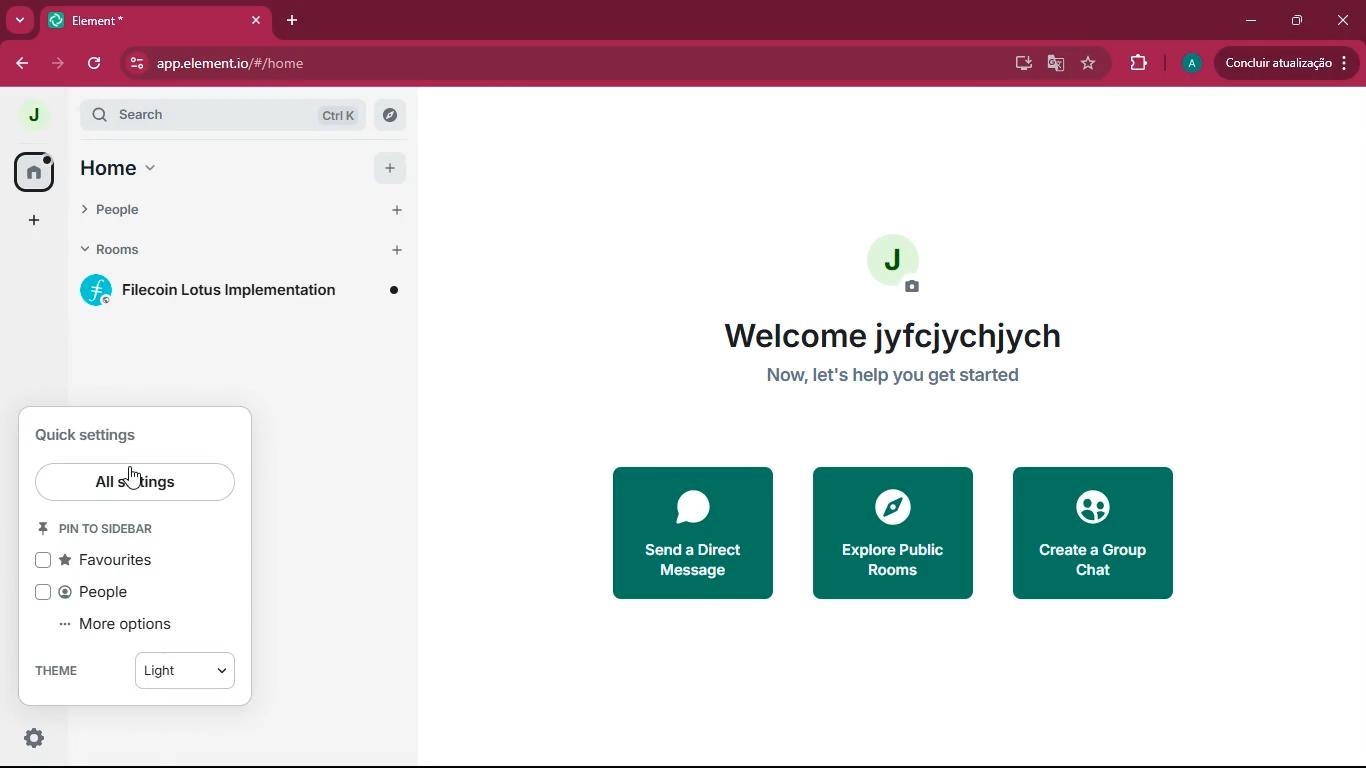 The image size is (1366, 768). I want to click on more, so click(16, 21).